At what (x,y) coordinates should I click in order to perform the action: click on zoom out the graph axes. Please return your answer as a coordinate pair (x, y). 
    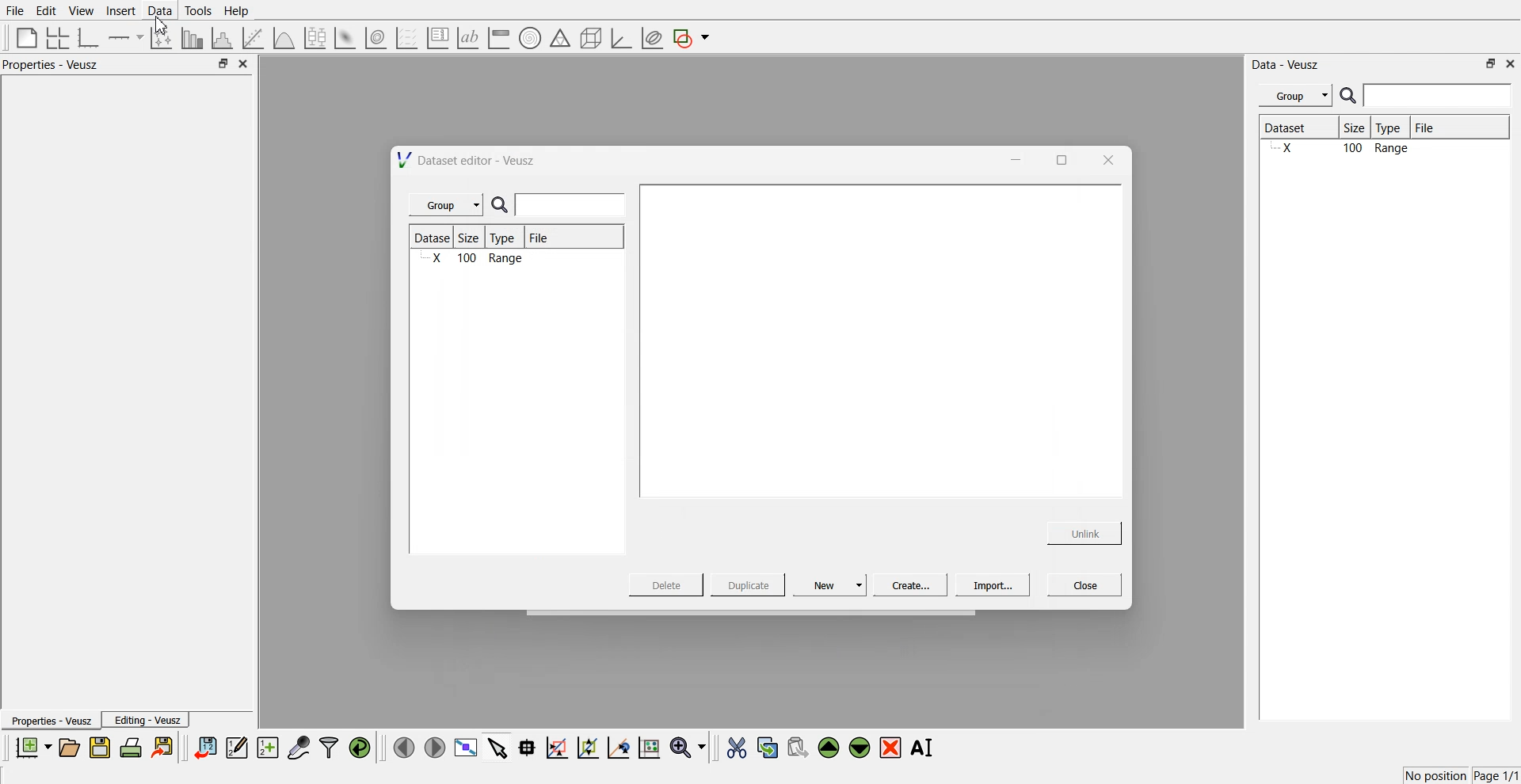
    Looking at the image, I should click on (586, 747).